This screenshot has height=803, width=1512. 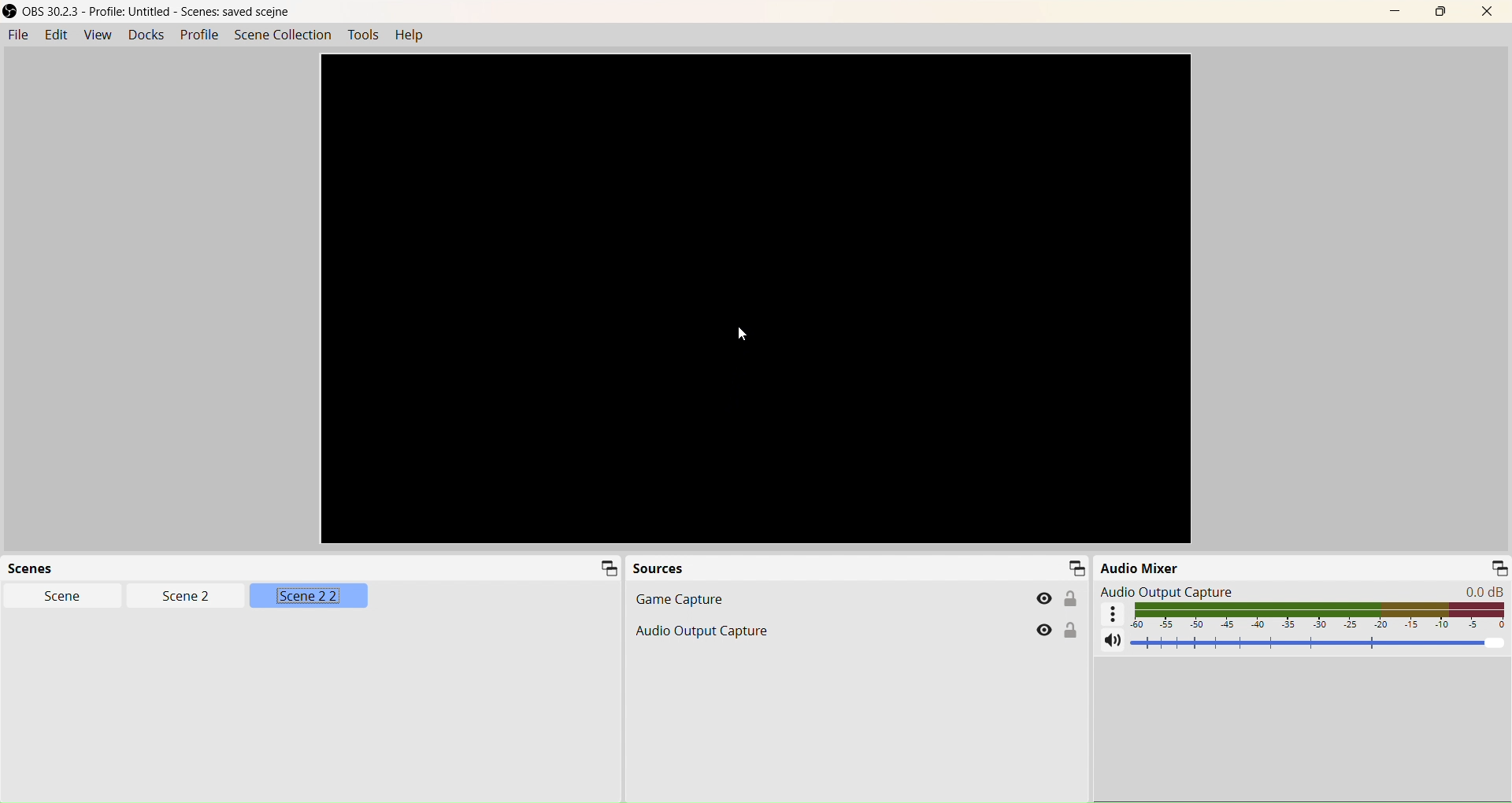 What do you see at coordinates (741, 333) in the screenshot?
I see `Cursor` at bounding box center [741, 333].